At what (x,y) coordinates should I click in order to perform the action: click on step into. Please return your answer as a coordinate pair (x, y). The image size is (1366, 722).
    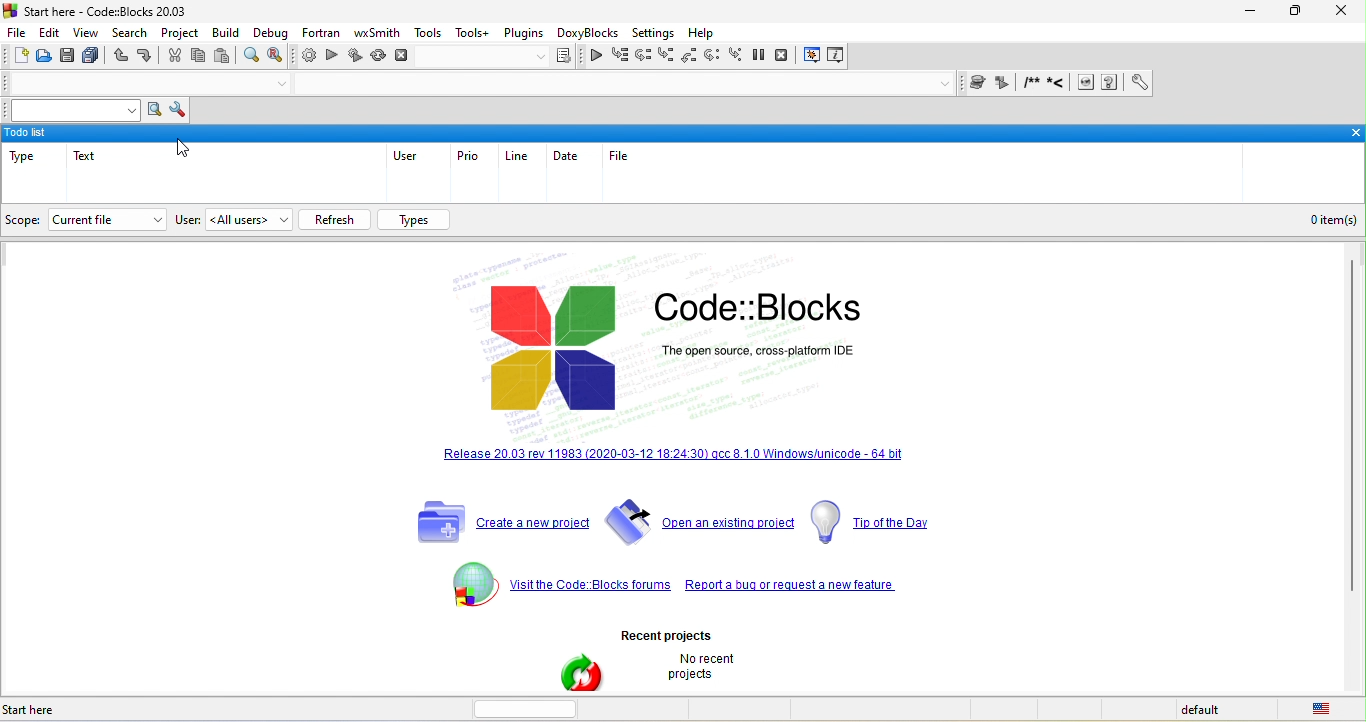
    Looking at the image, I should click on (666, 56).